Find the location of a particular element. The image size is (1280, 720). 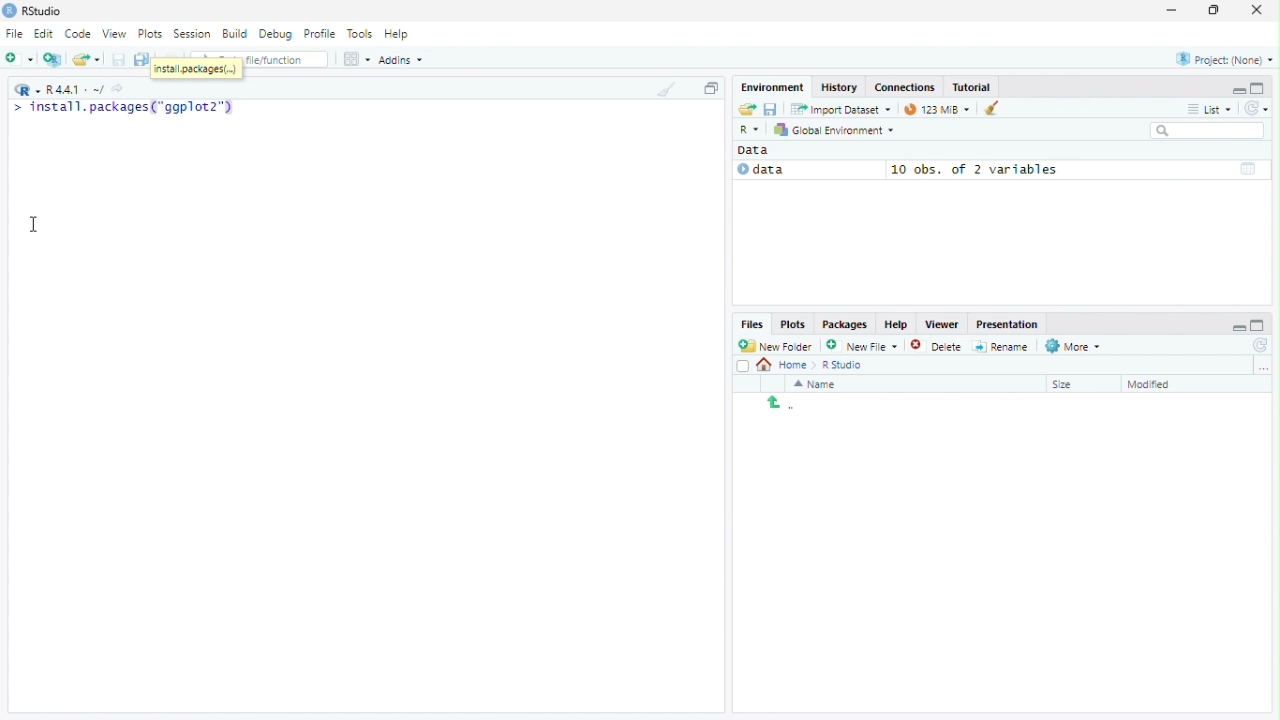

save workspace as is located at coordinates (773, 110).